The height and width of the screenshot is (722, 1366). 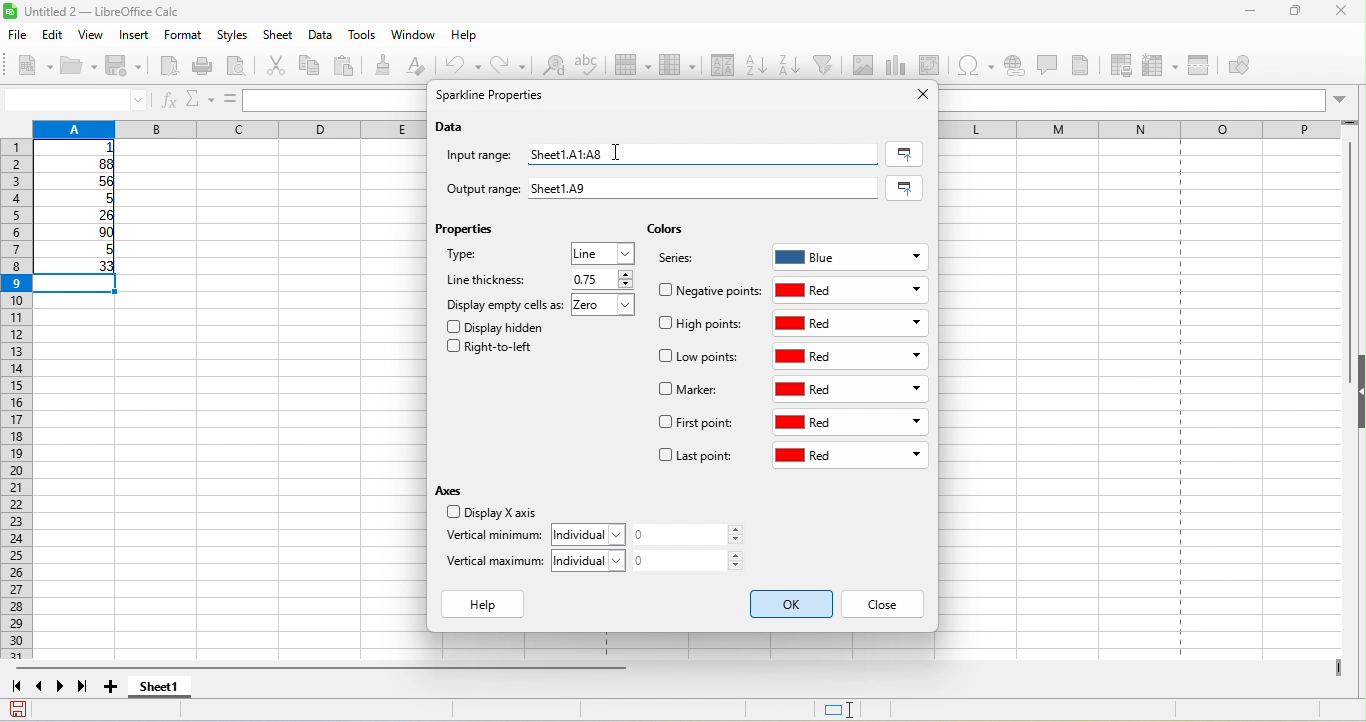 What do you see at coordinates (899, 65) in the screenshot?
I see `chart` at bounding box center [899, 65].